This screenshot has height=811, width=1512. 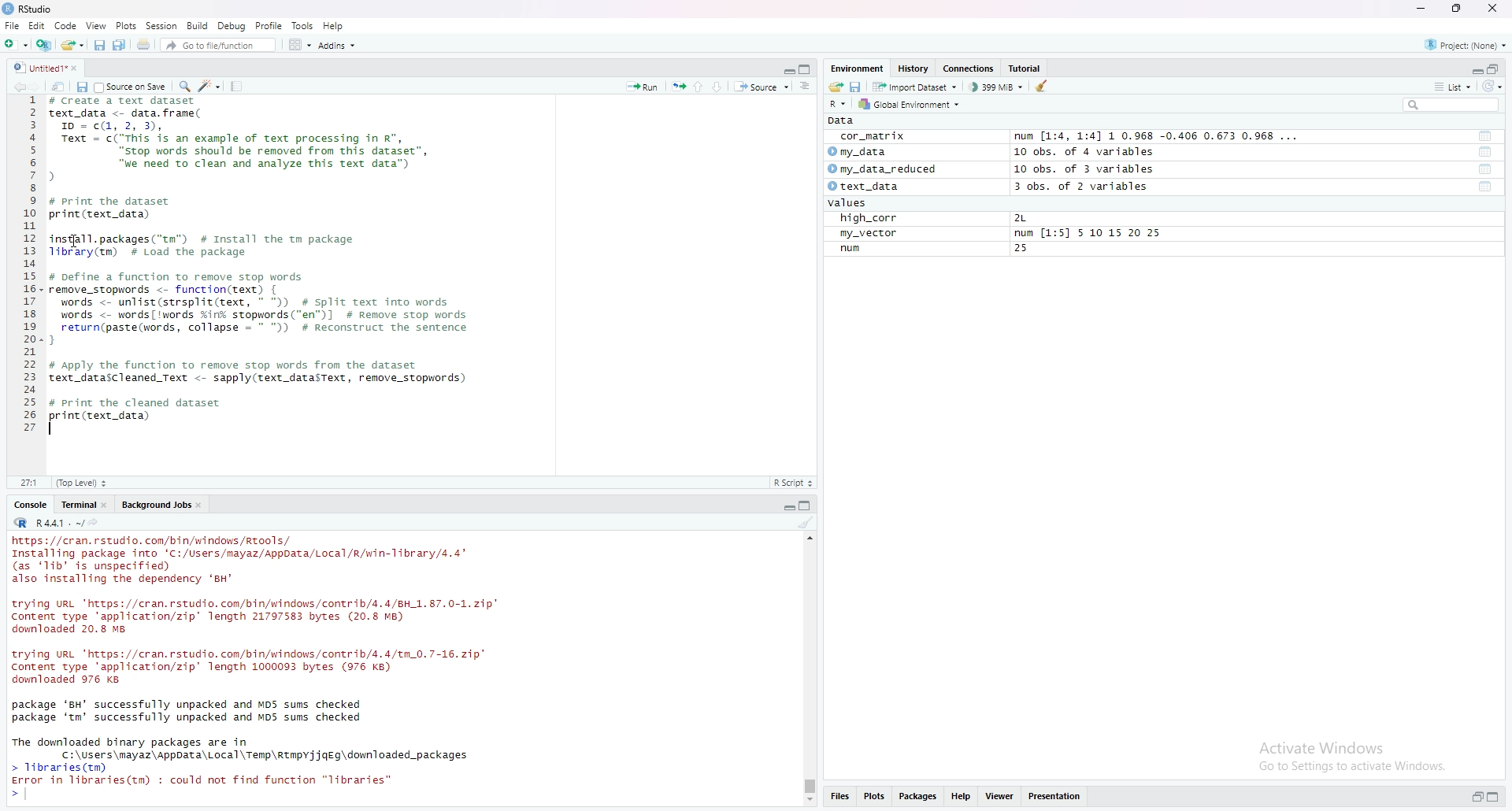 I want to click on plots, so click(x=126, y=27).